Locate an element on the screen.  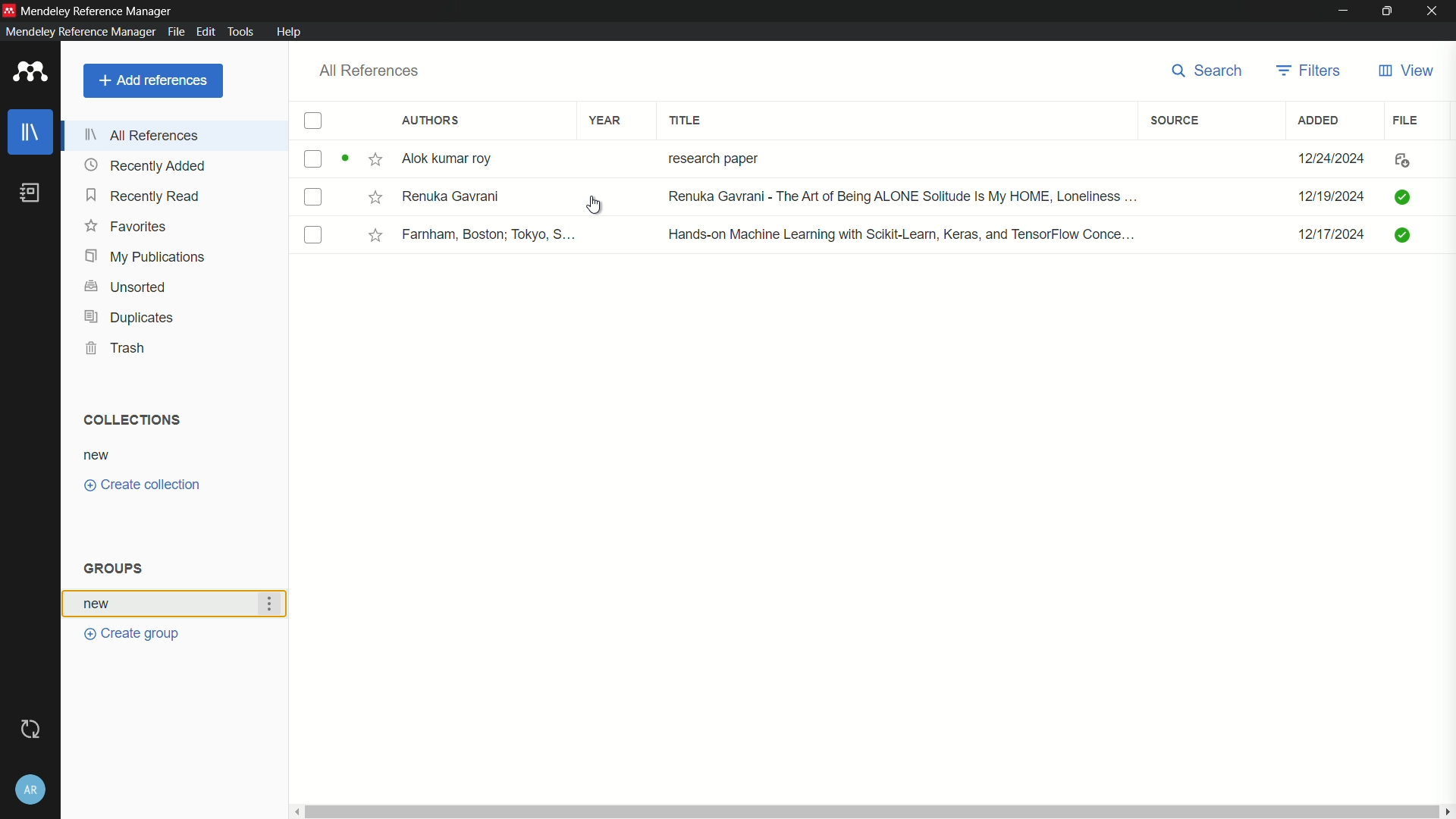
book-3 is located at coordinates (314, 236).